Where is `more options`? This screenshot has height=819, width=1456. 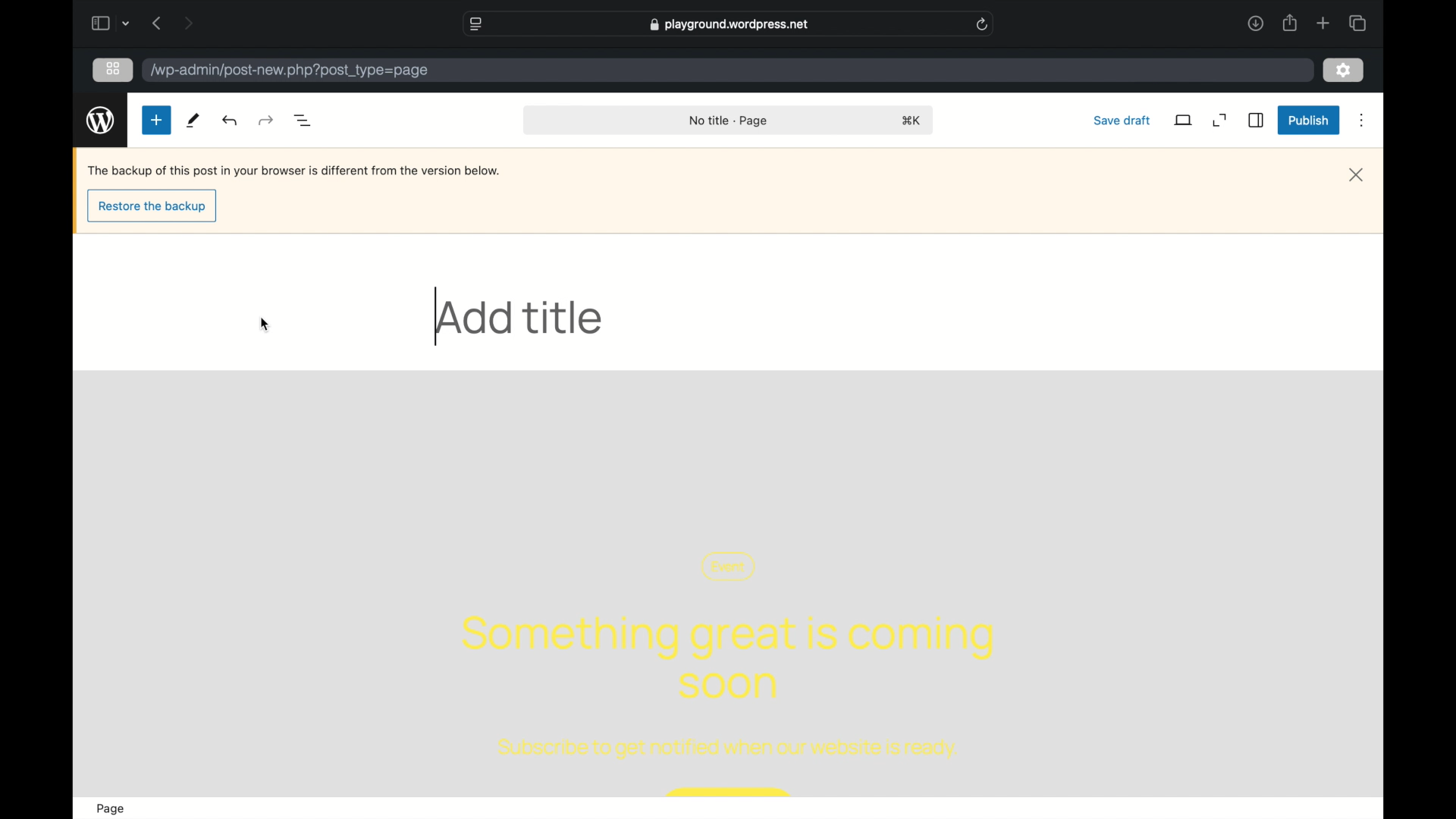 more options is located at coordinates (1361, 120).